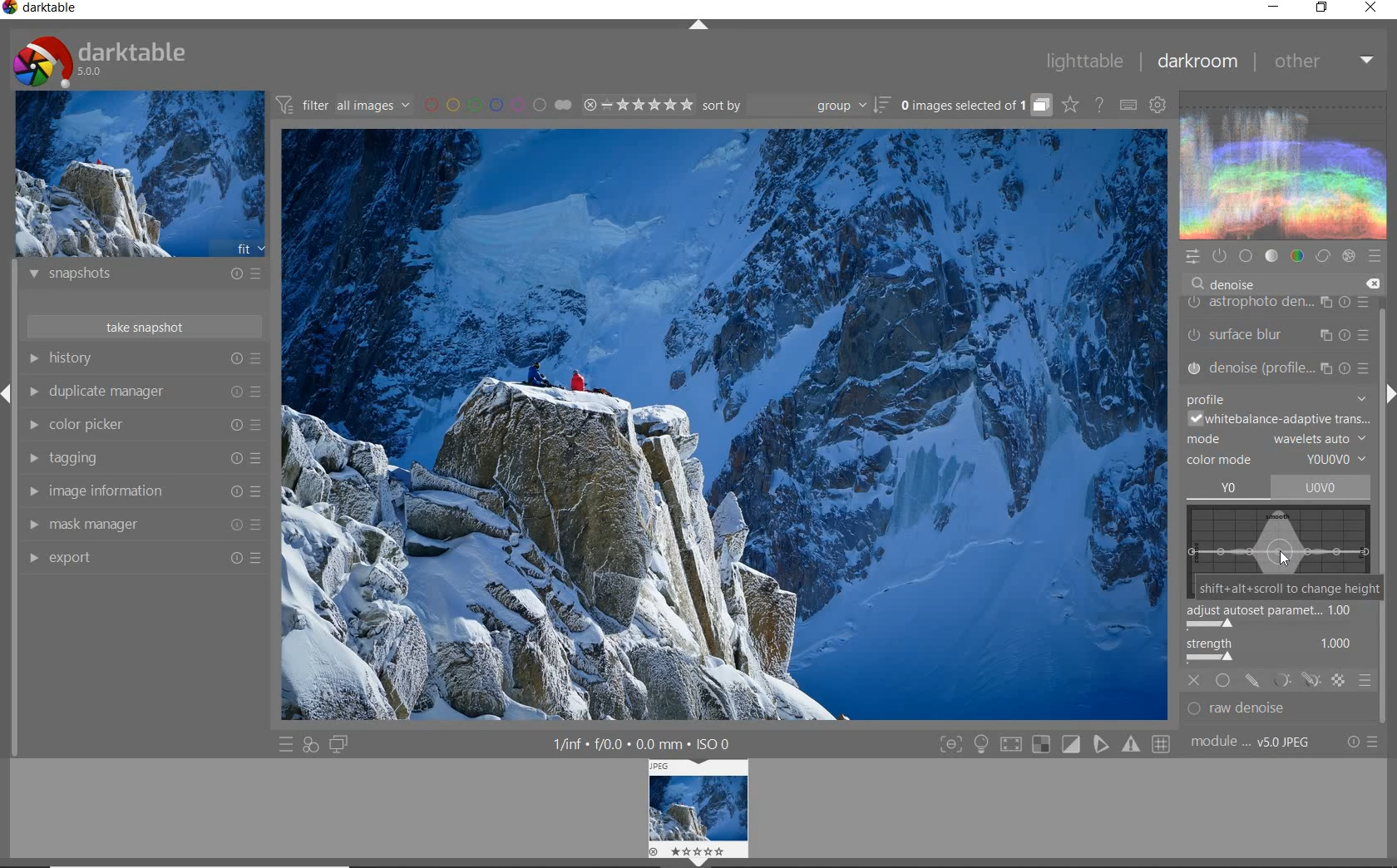 This screenshot has width=1397, height=868. I want to click on WAVELETS AUTO, so click(1314, 488).